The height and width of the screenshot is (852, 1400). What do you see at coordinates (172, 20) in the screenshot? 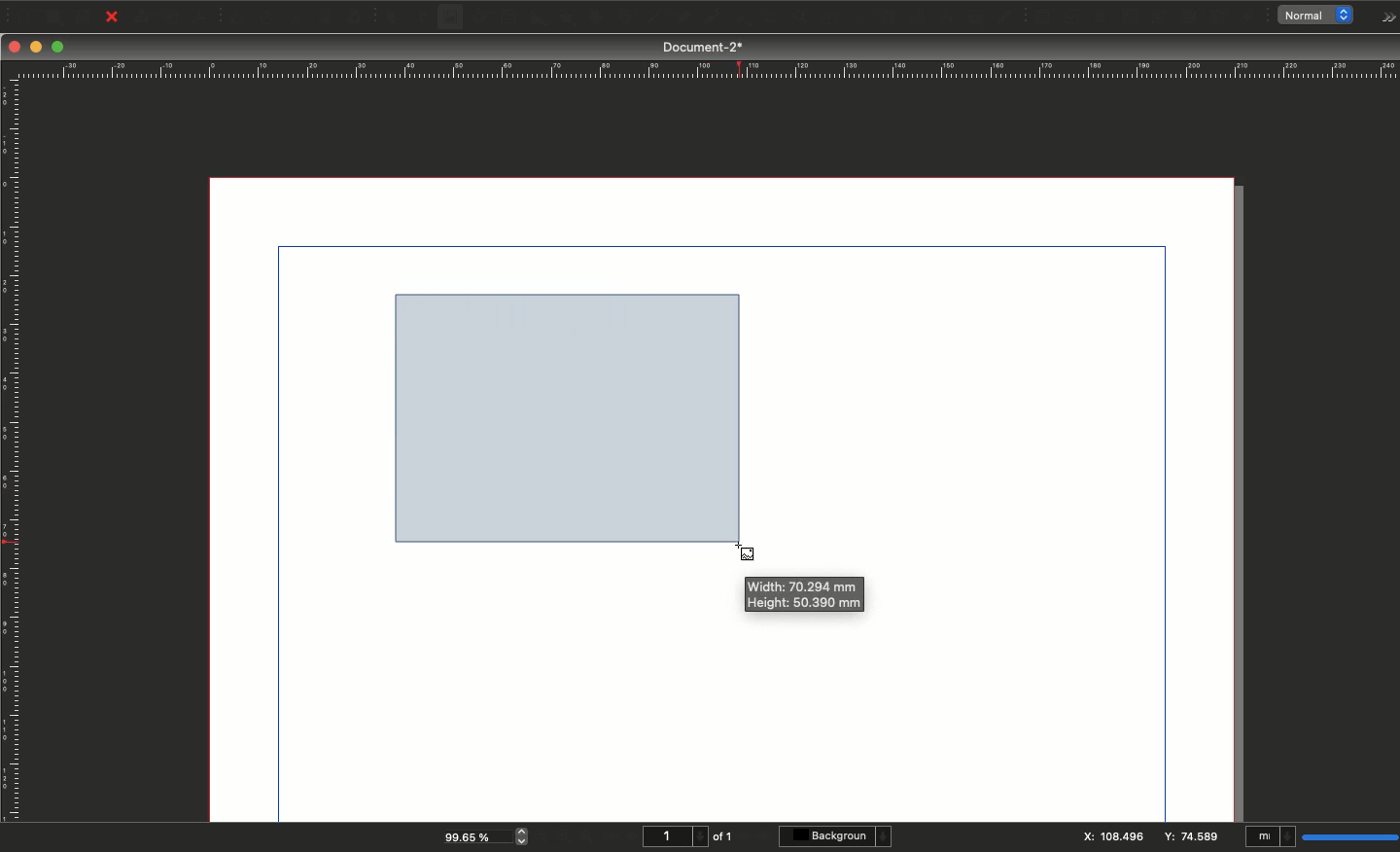
I see `Preflight verifier` at bounding box center [172, 20].